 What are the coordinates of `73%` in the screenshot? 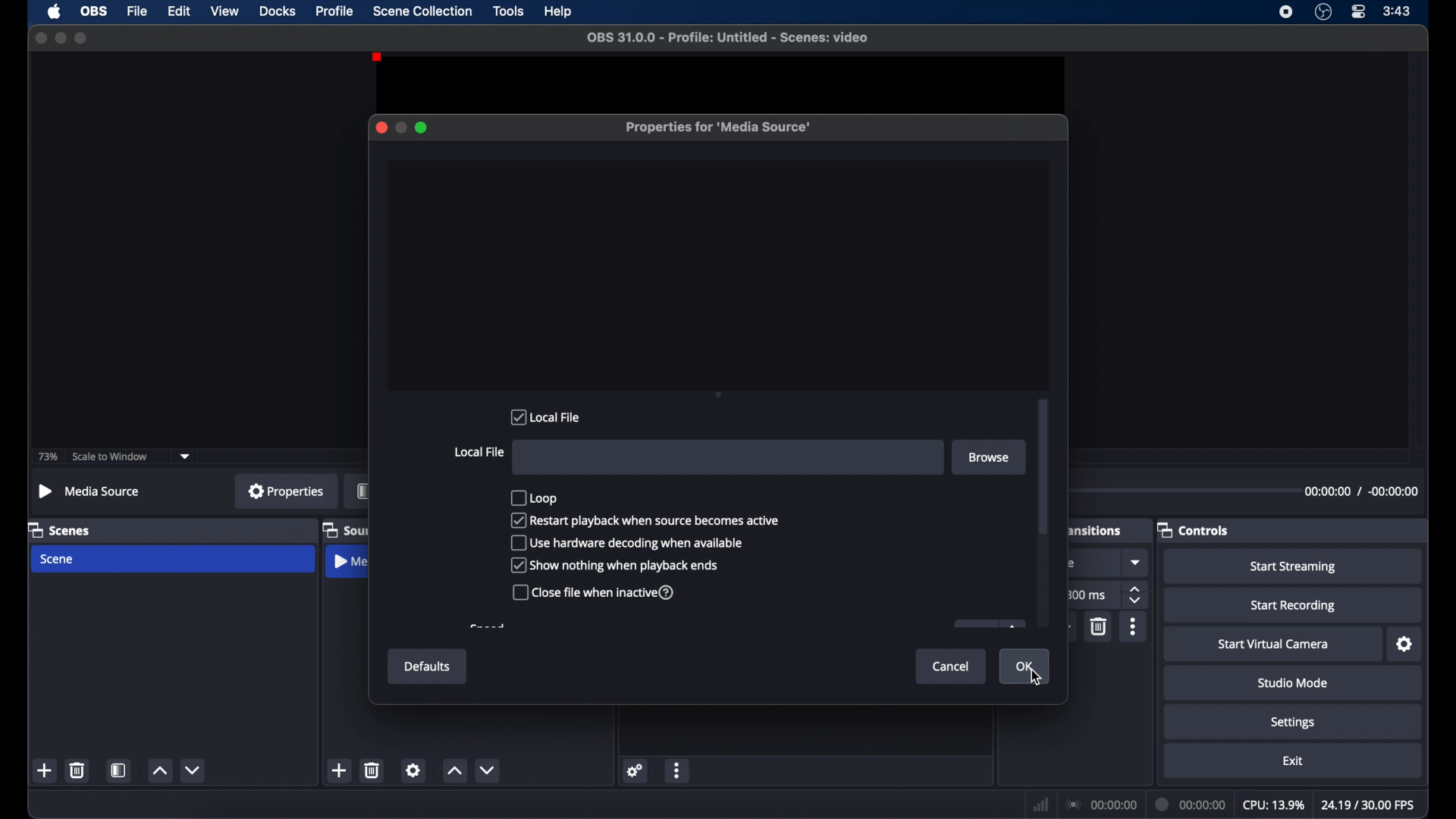 It's located at (46, 457).